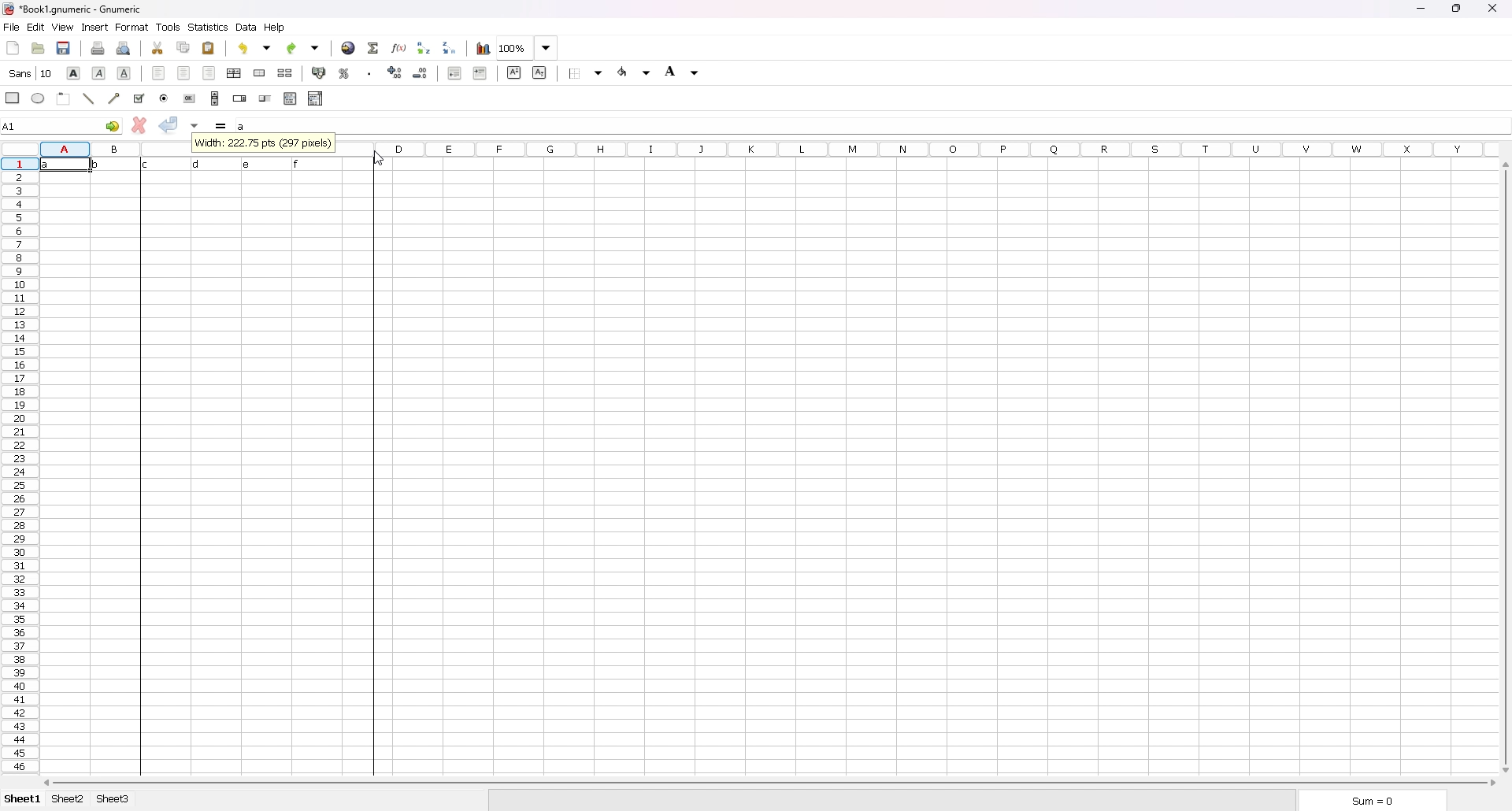 This screenshot has height=811, width=1512. Describe the element at coordinates (208, 72) in the screenshot. I see `right align` at that location.